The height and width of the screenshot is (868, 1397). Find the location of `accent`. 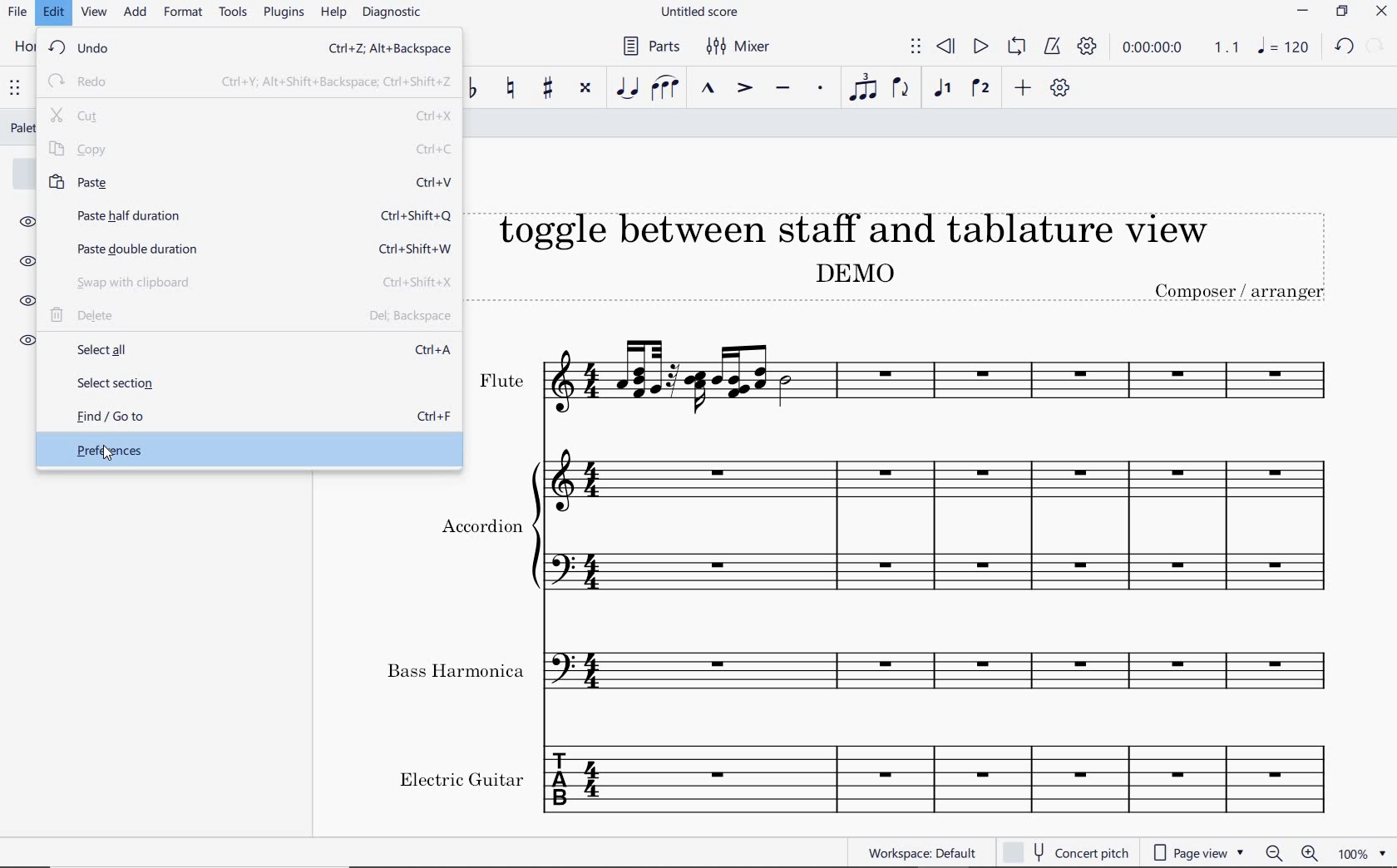

accent is located at coordinates (745, 89).